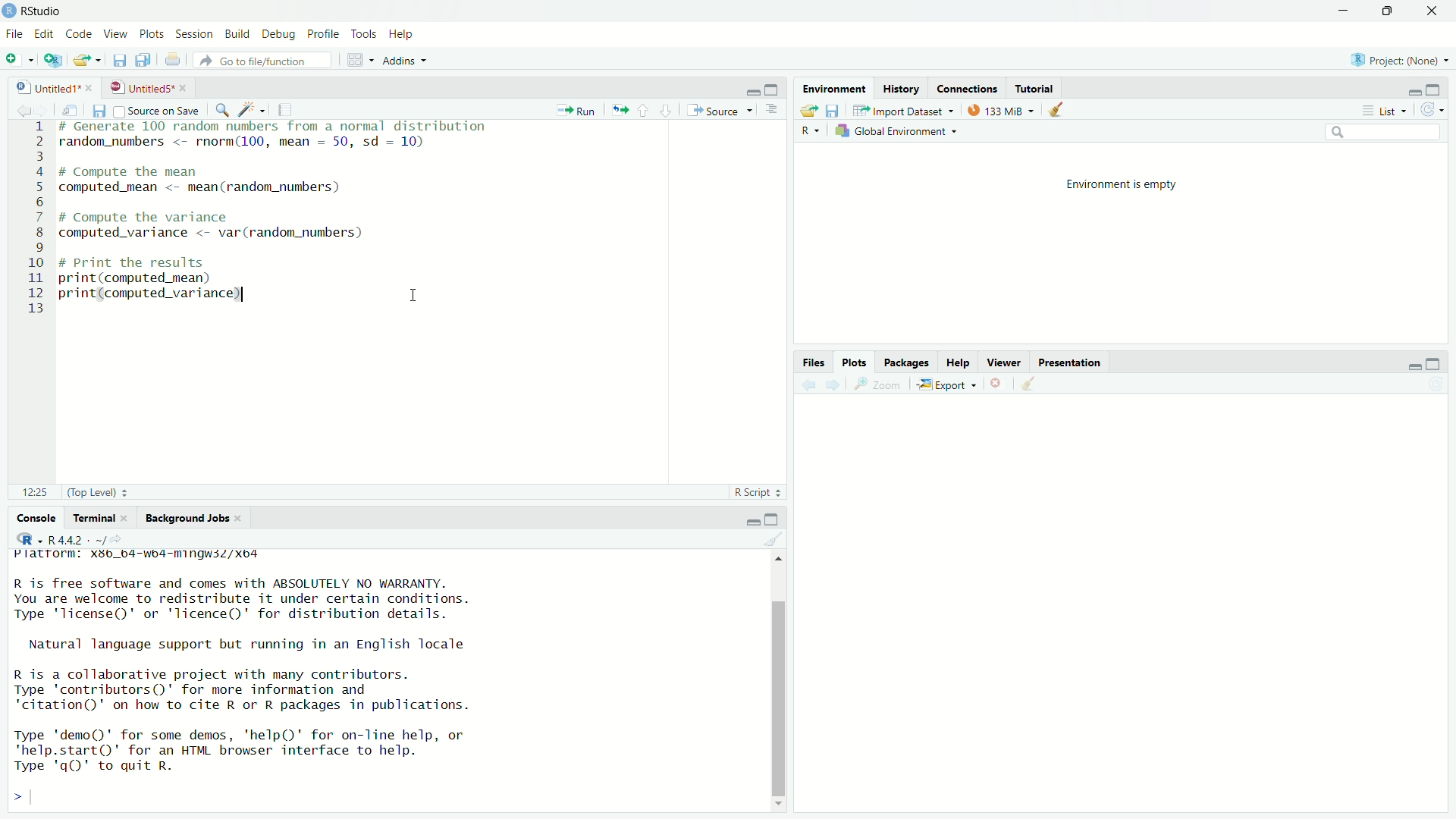 This screenshot has width=1456, height=819. Describe the element at coordinates (273, 751) in the screenshot. I see `Type 'demo()' for some demos, 'help()' for on-line help, or
*help.start()" for an HTML browser interface to help.
Type 'gQ)' to quit R.` at that location.